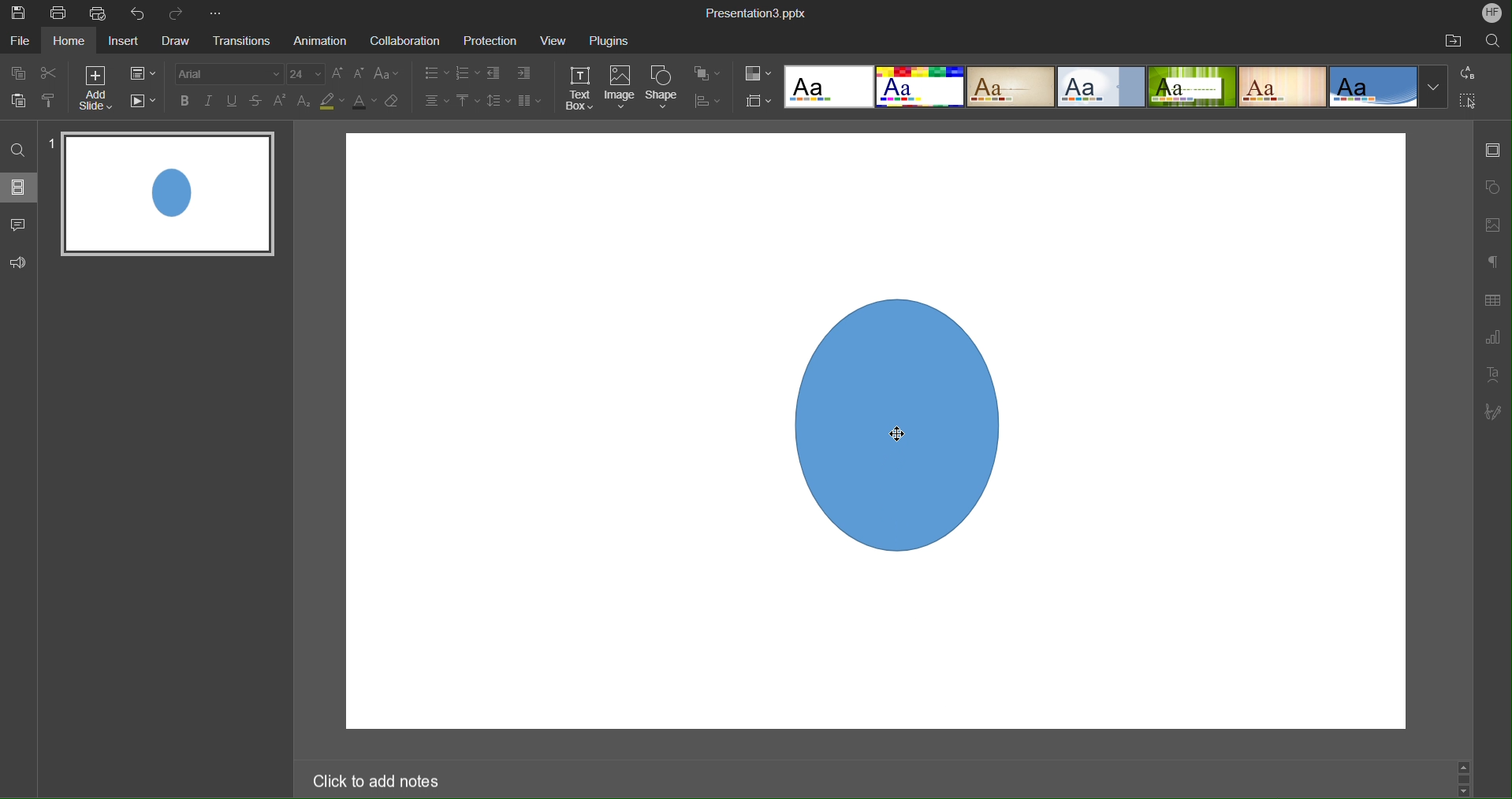 The width and height of the screenshot is (1512, 799). What do you see at coordinates (389, 74) in the screenshot?
I see `Text Case Settings` at bounding box center [389, 74].